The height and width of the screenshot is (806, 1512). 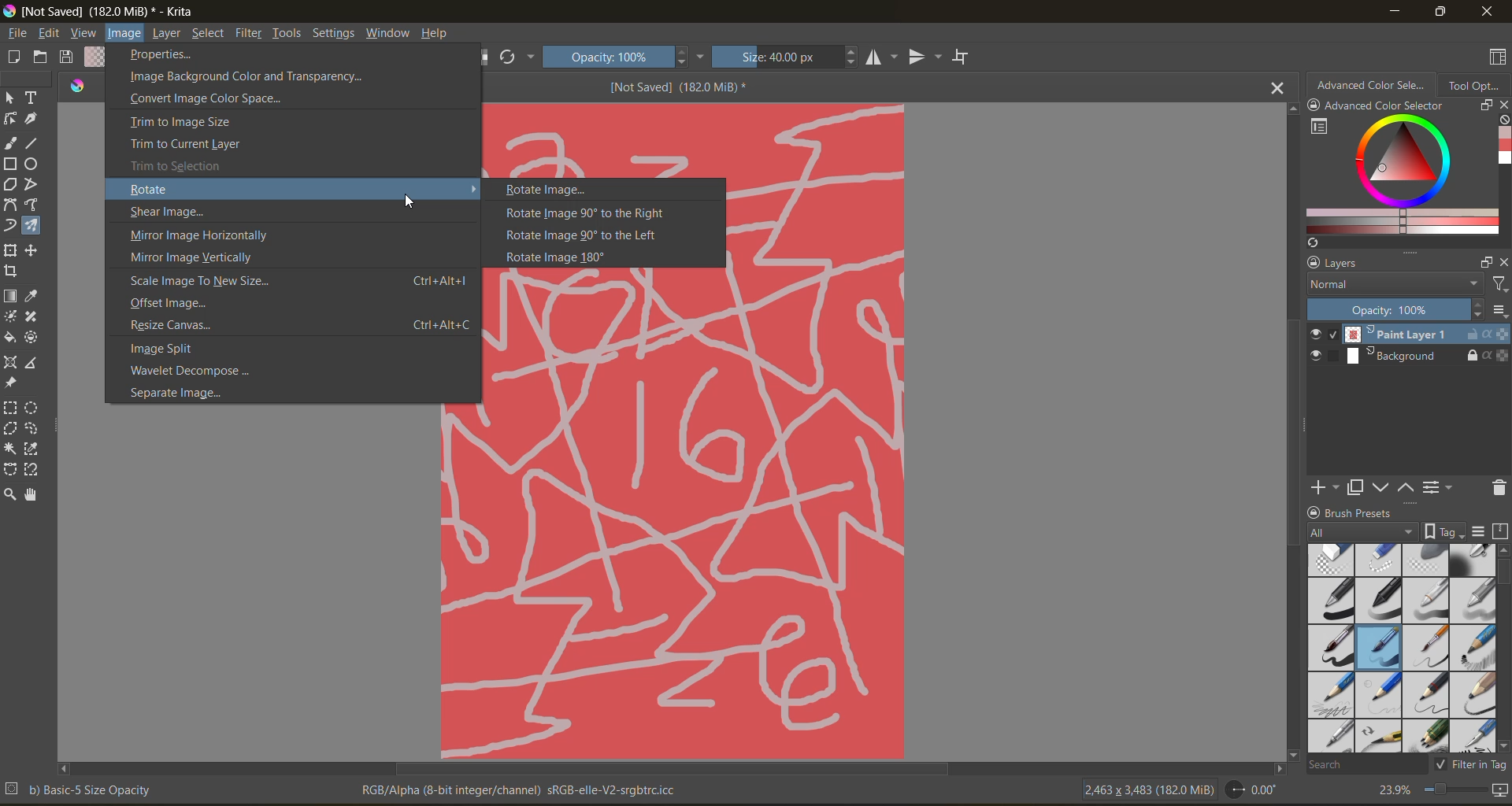 I want to click on mirror image horizontally, so click(x=201, y=236).